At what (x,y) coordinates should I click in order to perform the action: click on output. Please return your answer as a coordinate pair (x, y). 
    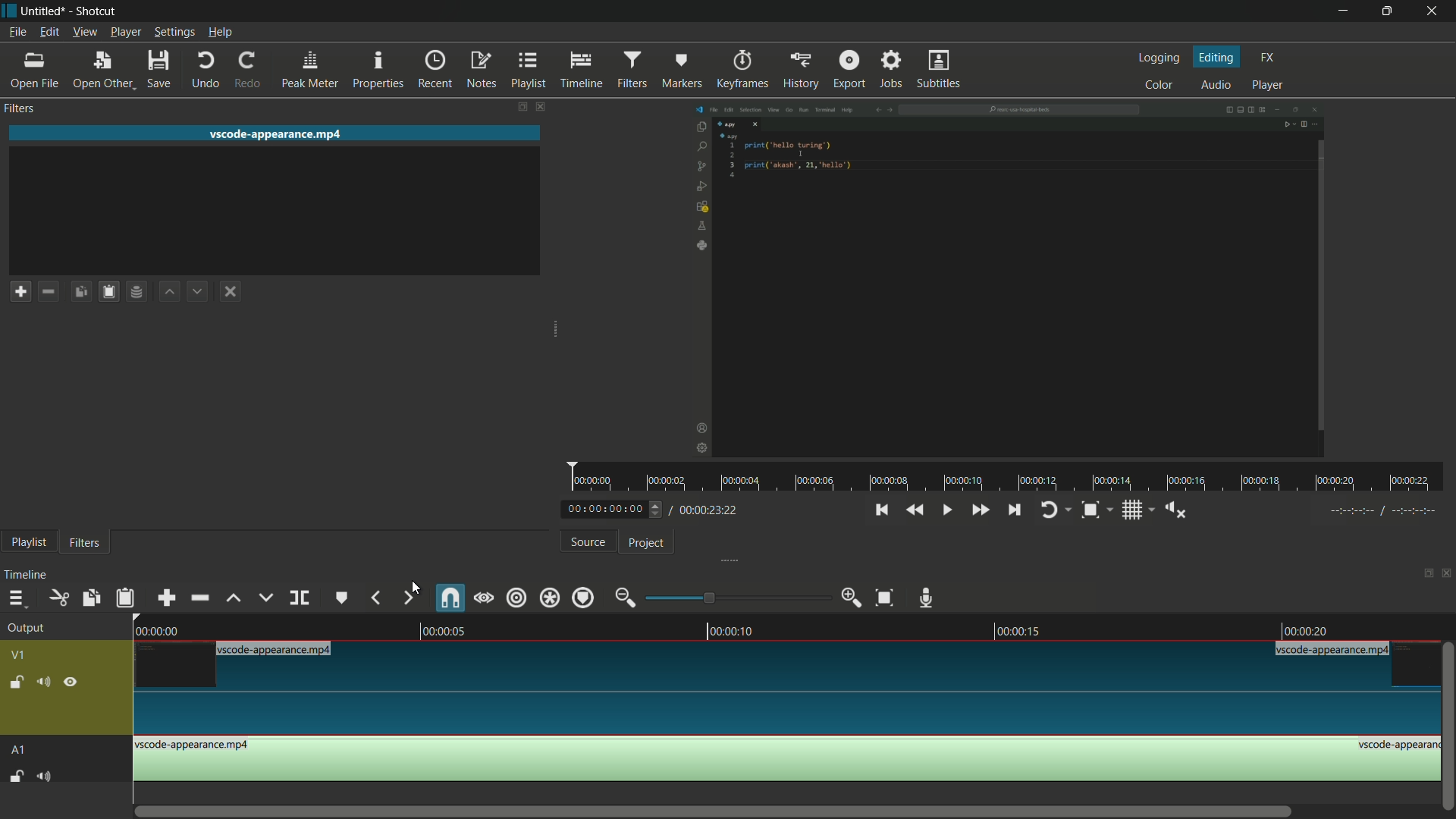
    Looking at the image, I should click on (26, 629).